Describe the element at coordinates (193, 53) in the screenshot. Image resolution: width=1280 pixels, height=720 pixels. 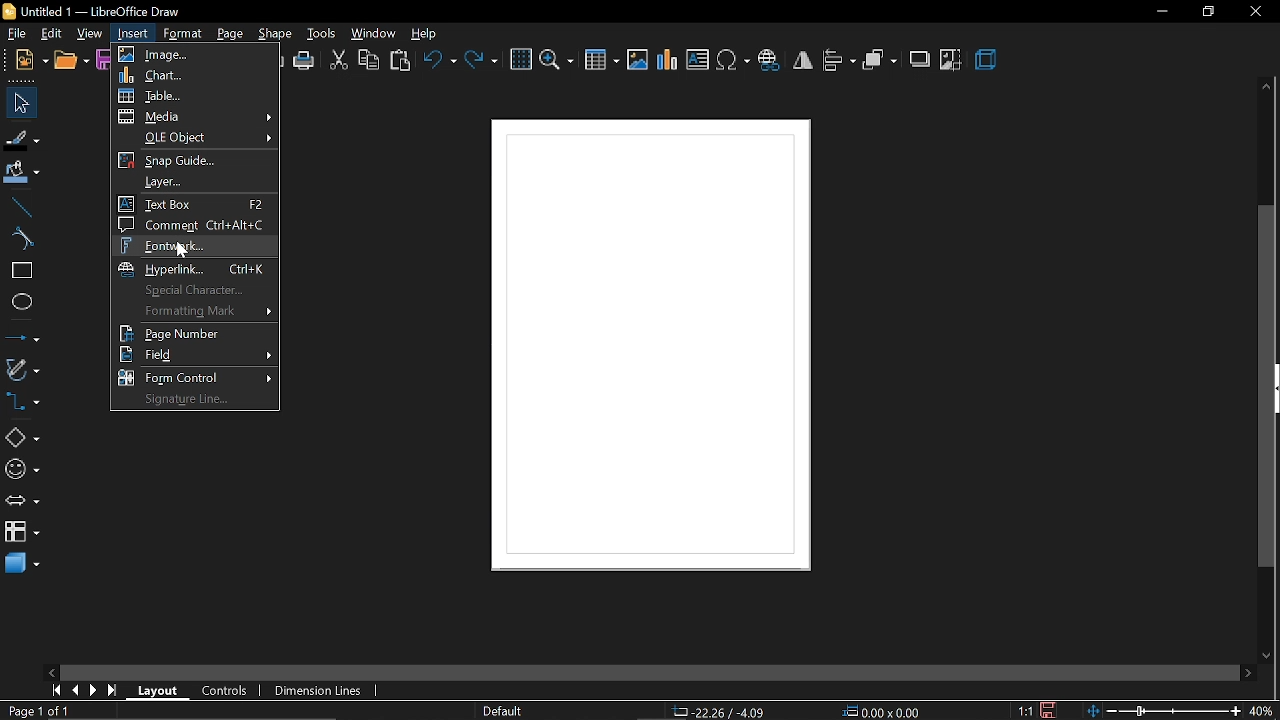
I see `image` at that location.